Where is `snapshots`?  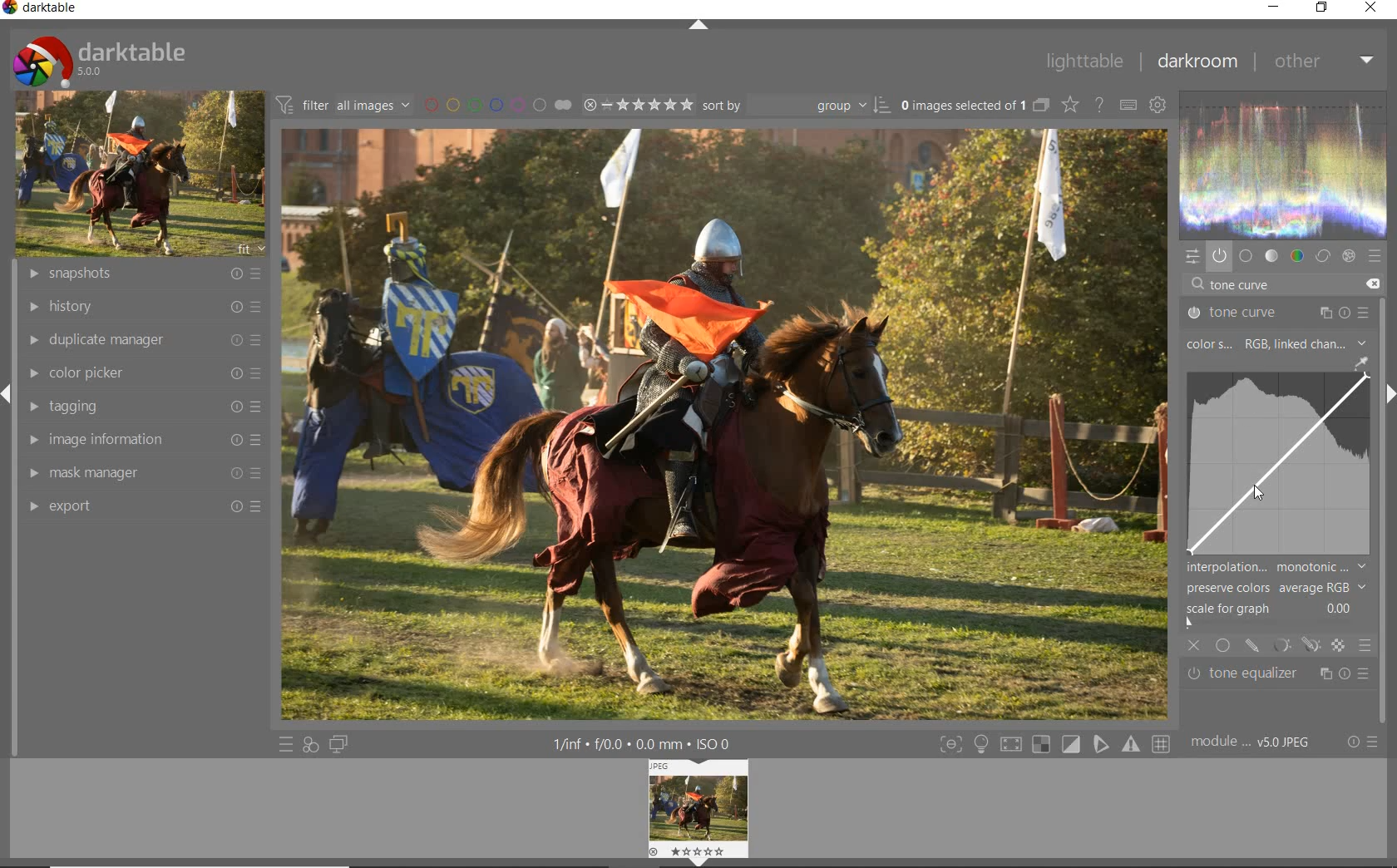 snapshots is located at coordinates (146, 274).